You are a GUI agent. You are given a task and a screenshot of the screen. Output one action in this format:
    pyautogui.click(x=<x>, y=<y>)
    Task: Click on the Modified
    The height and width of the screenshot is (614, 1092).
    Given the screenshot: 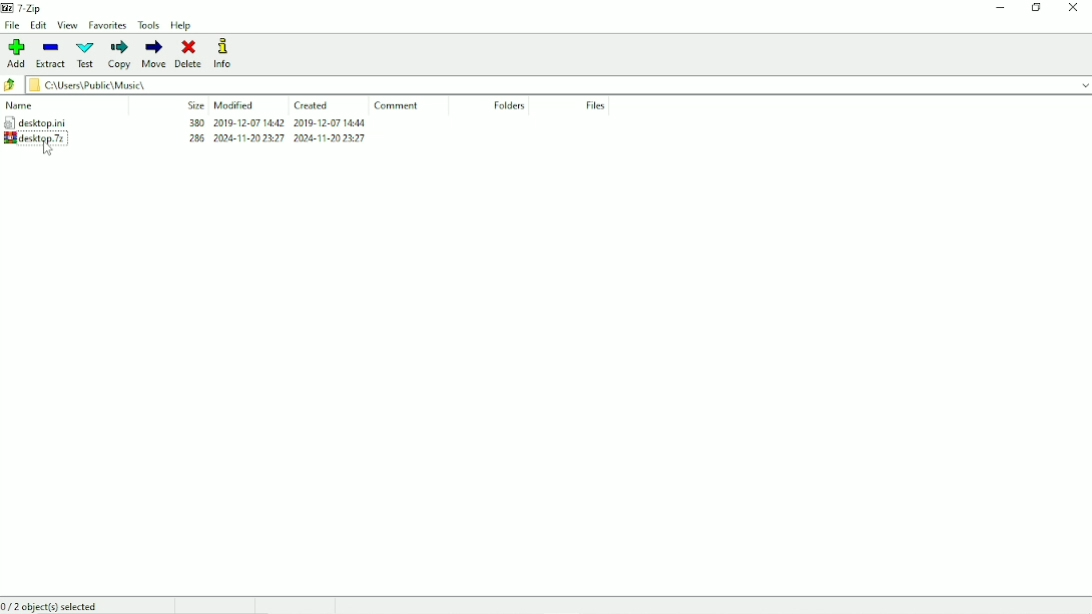 What is the action you would take?
    pyautogui.click(x=234, y=105)
    